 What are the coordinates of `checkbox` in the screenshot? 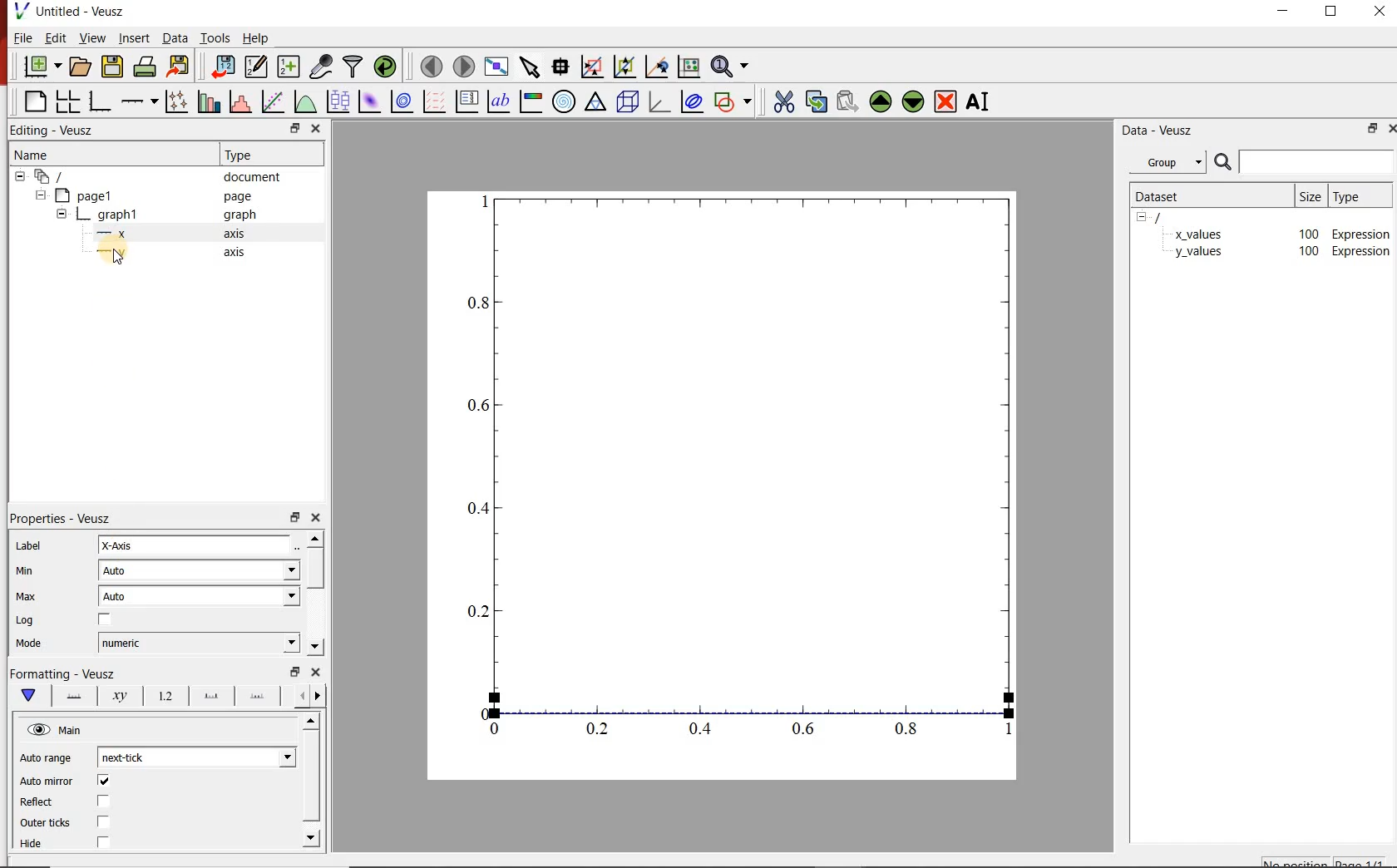 It's located at (105, 800).